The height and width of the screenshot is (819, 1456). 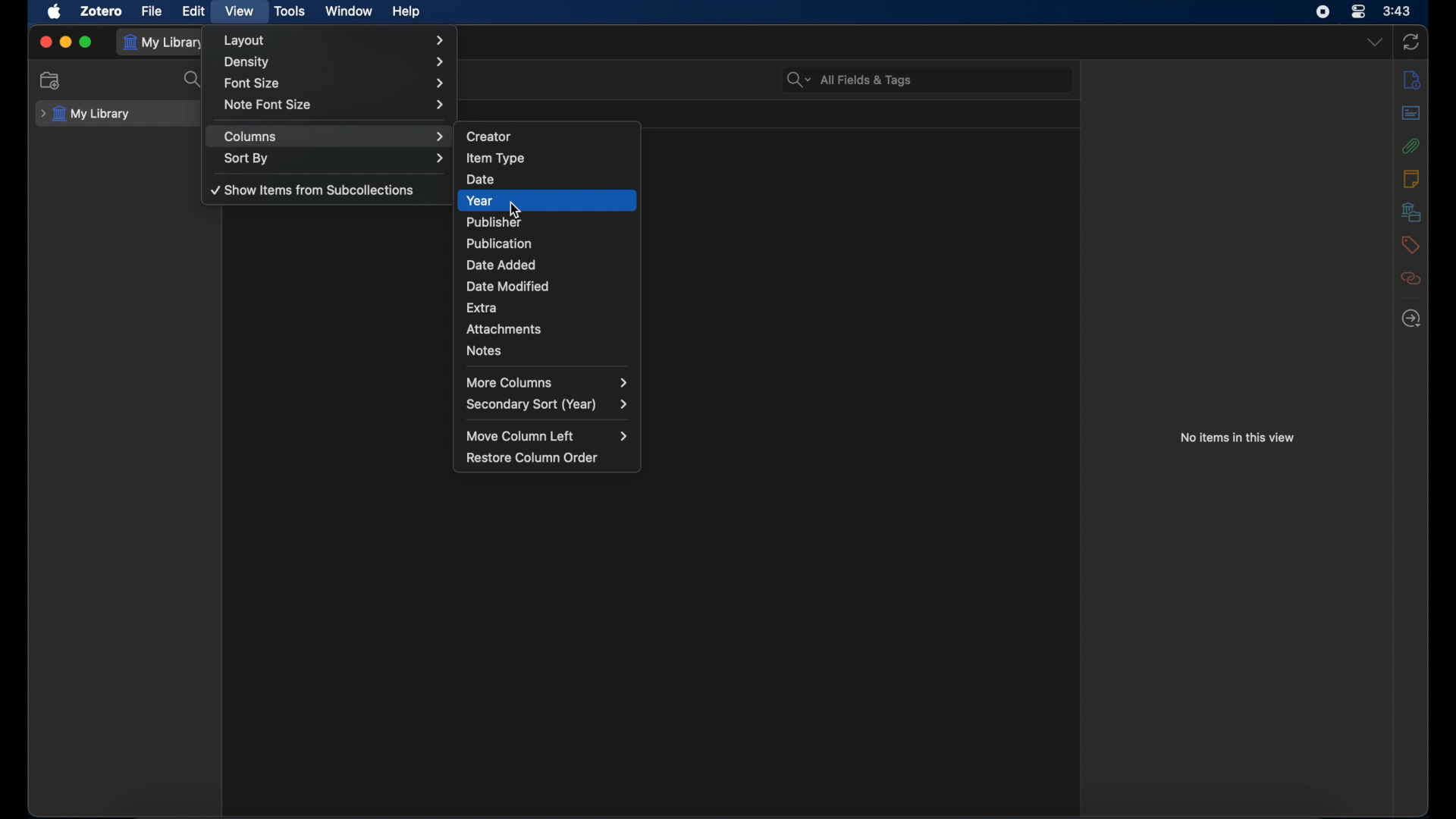 What do you see at coordinates (336, 62) in the screenshot?
I see `density` at bounding box center [336, 62].